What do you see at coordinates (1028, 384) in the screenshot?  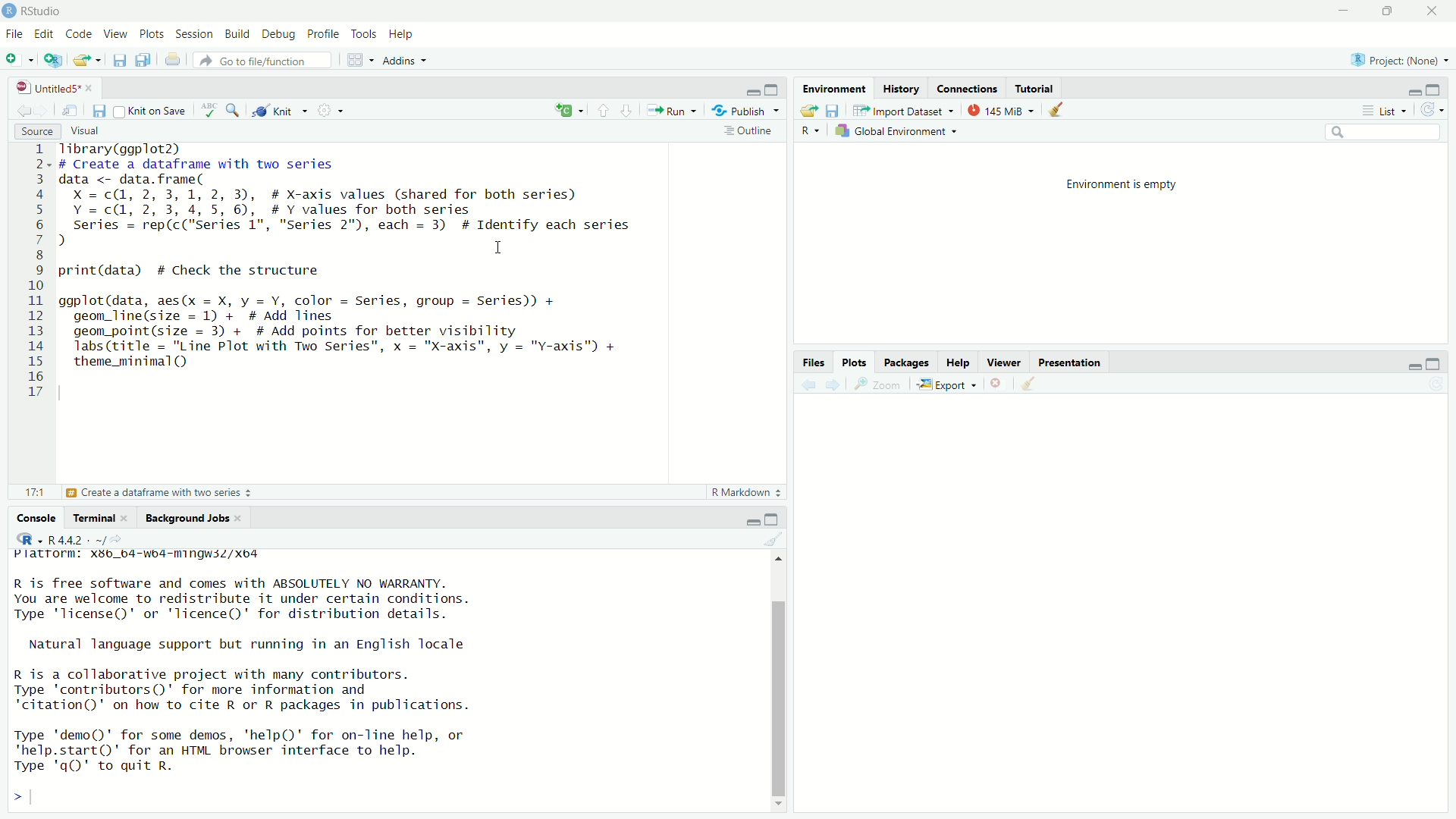 I see `Go back to the previous source selection` at bounding box center [1028, 384].